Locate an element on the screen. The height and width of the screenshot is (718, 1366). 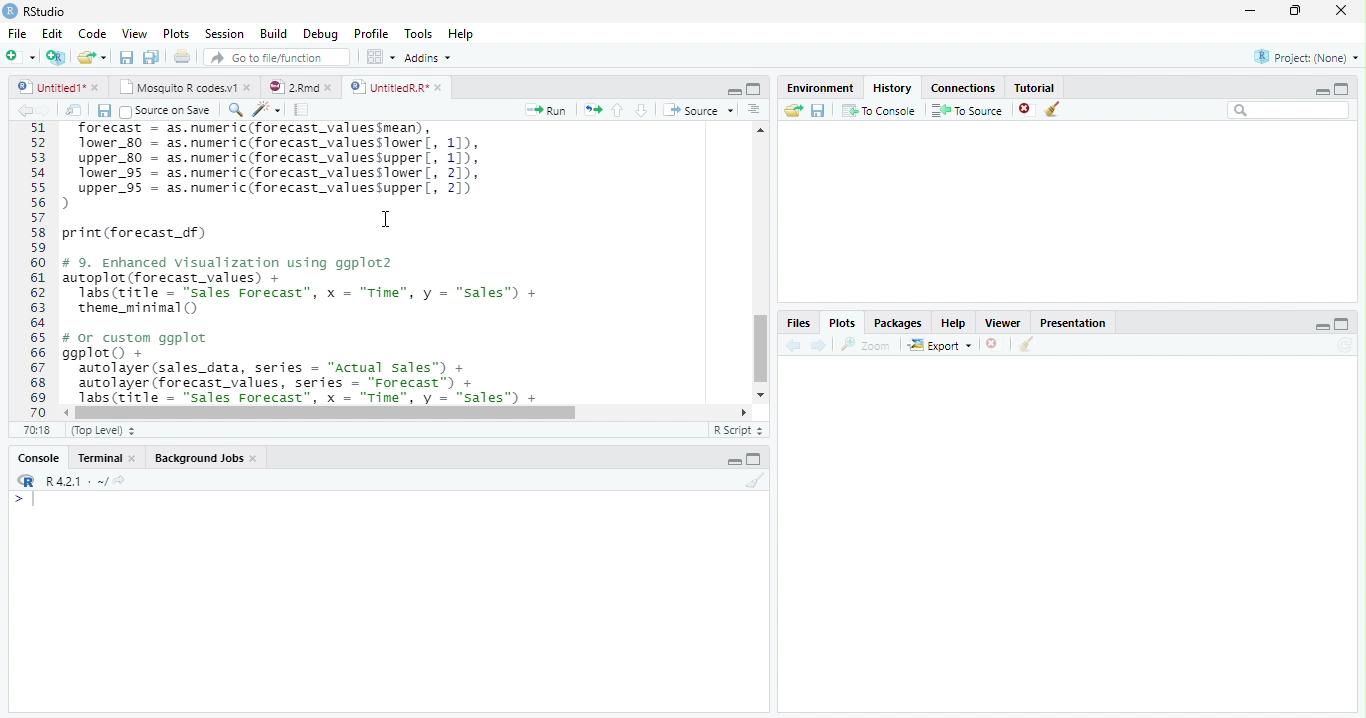
Session is located at coordinates (226, 34).